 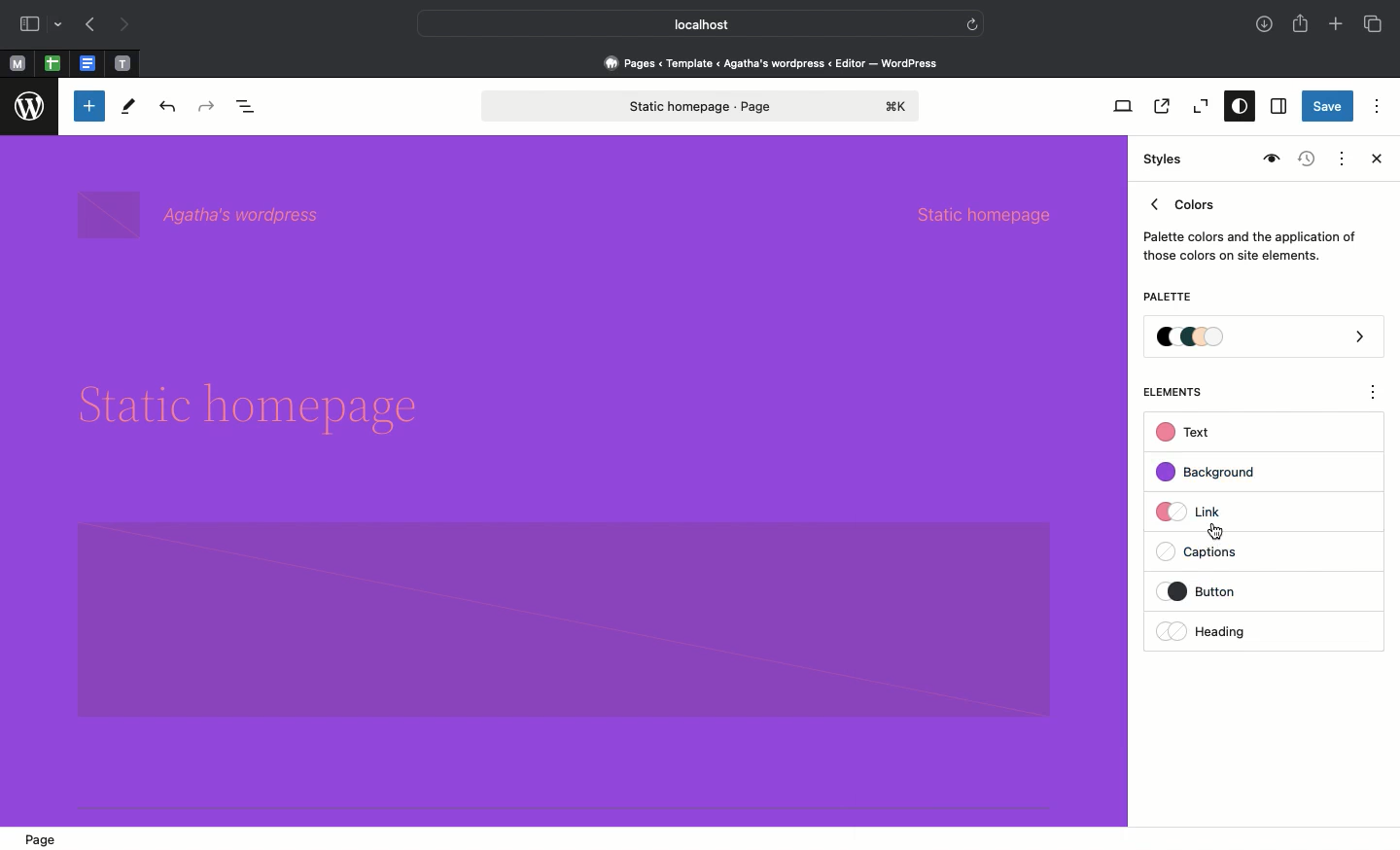 What do you see at coordinates (1269, 159) in the screenshot?
I see `Style book` at bounding box center [1269, 159].